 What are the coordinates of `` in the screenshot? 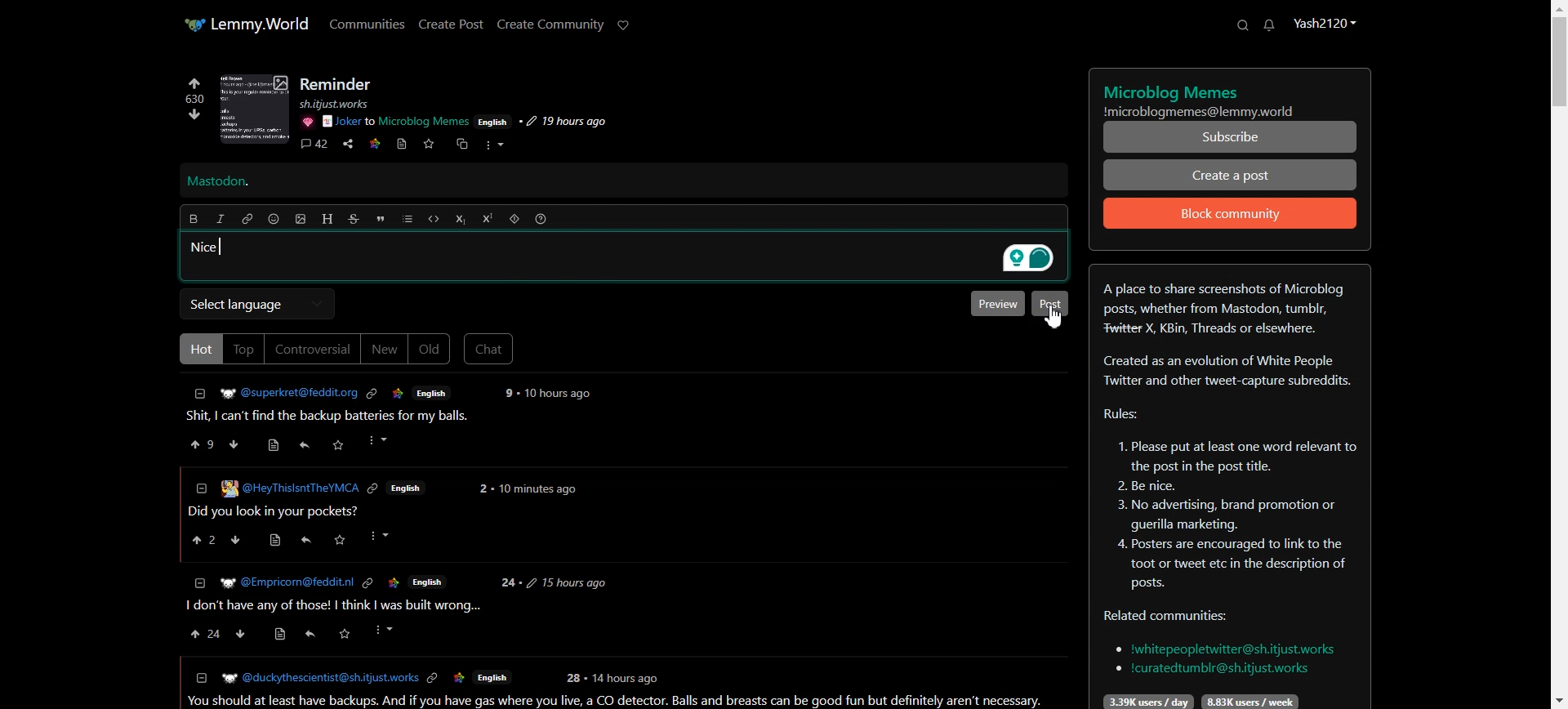 It's located at (305, 540).